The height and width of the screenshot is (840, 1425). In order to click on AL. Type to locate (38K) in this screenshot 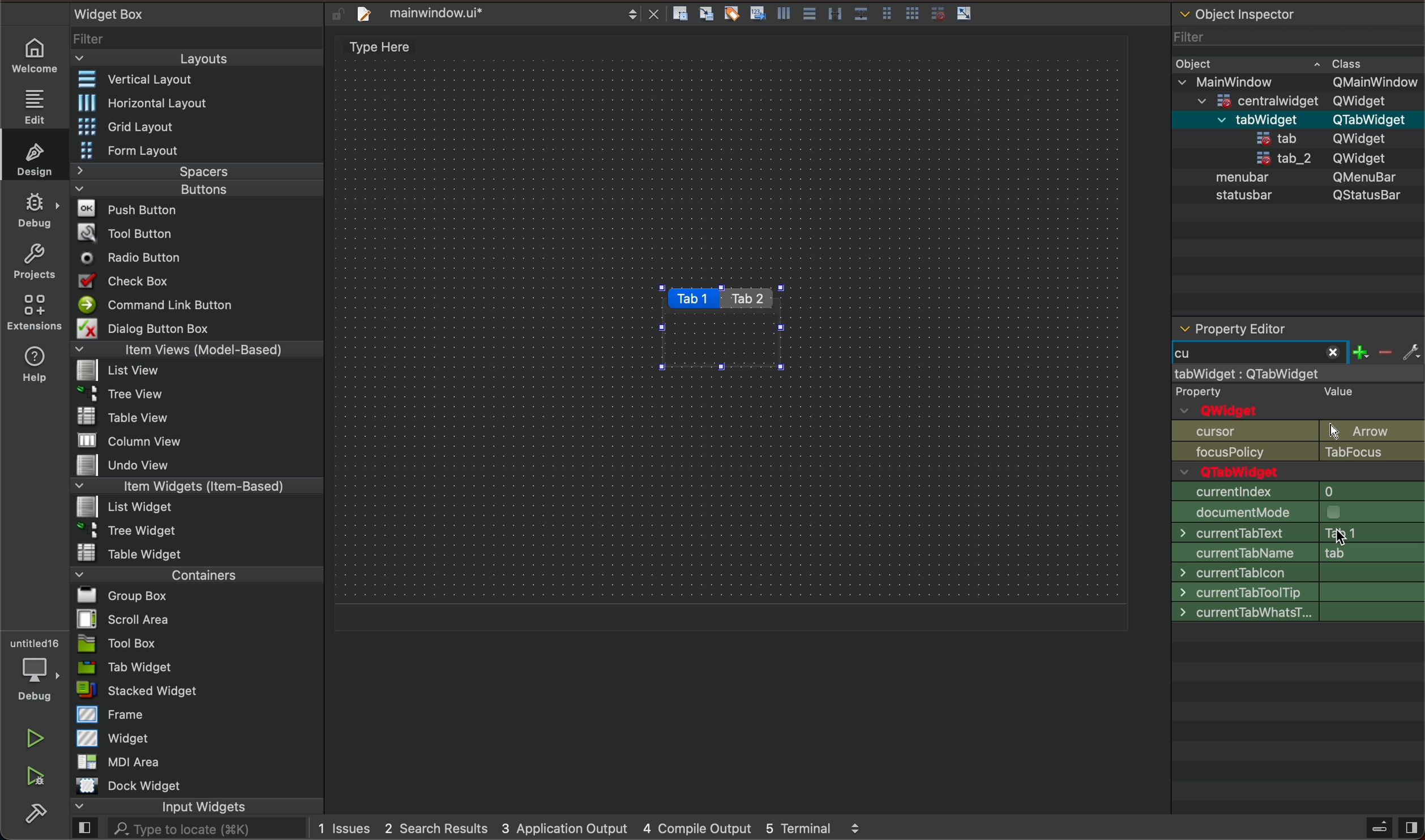, I will do `click(195, 830)`.